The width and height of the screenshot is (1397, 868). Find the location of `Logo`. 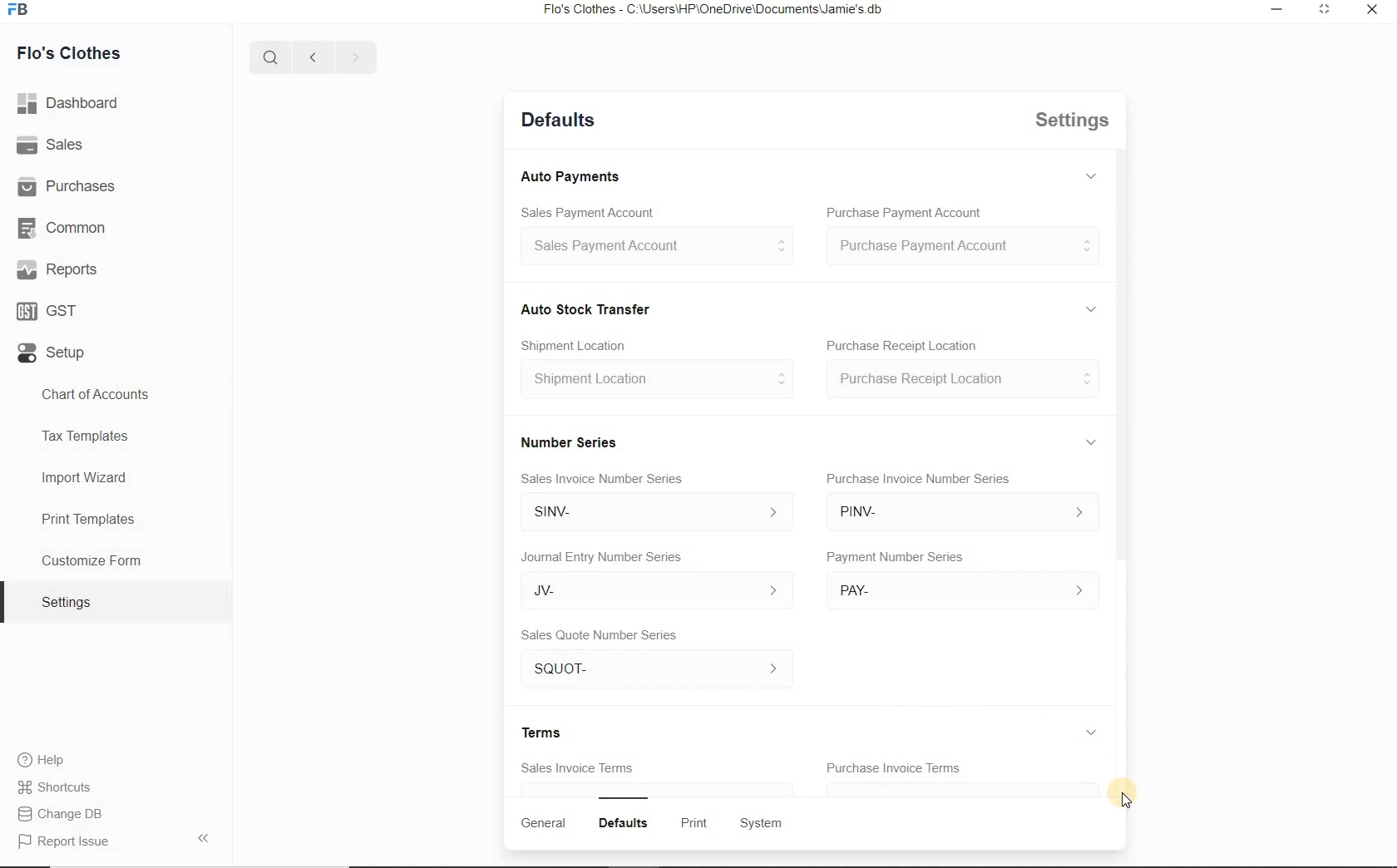

Logo is located at coordinates (20, 9).